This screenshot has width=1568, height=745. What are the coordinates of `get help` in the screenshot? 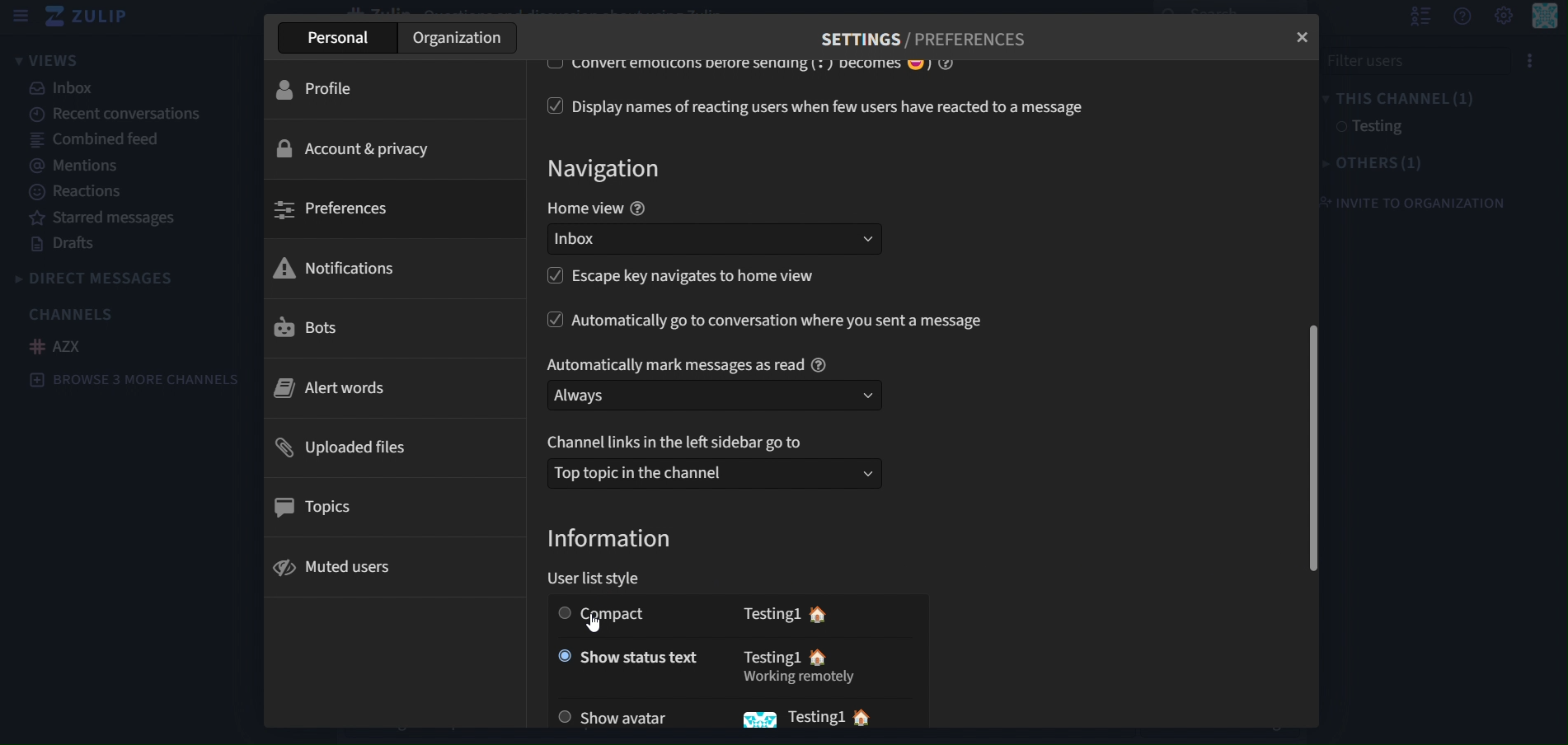 It's located at (1461, 18).